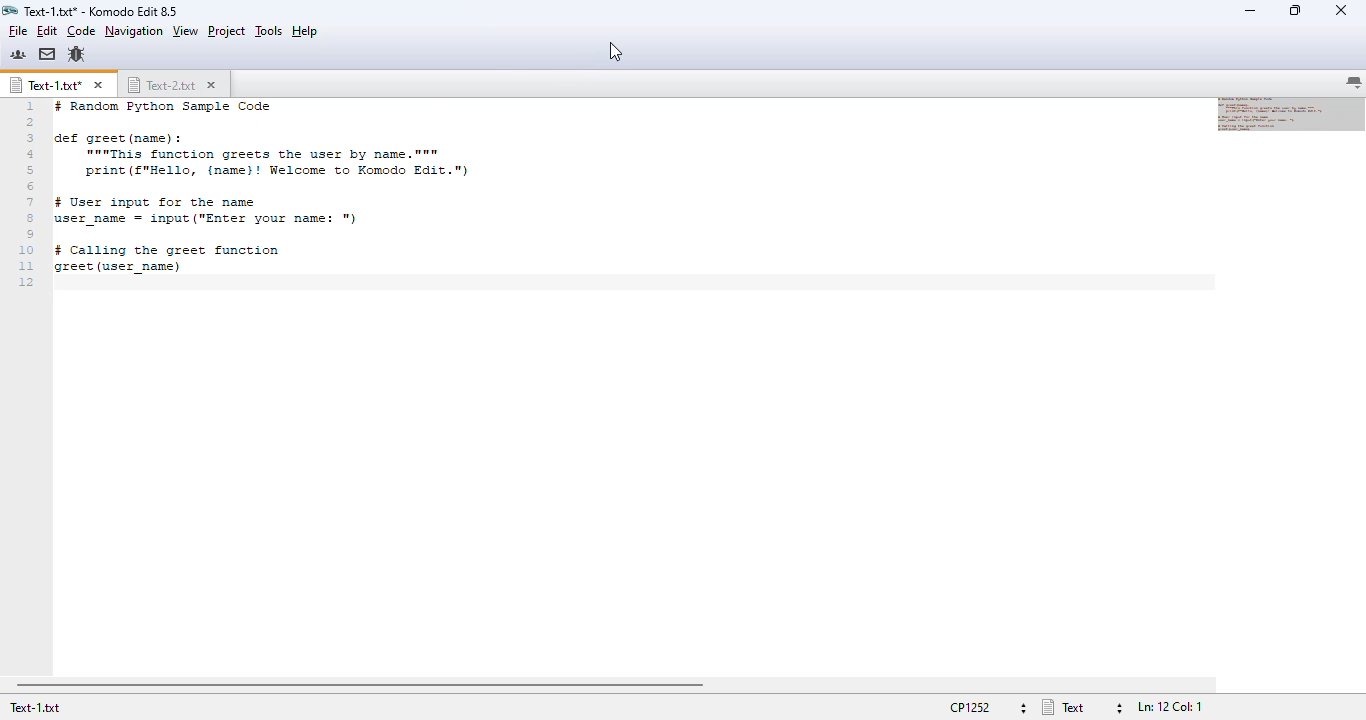 This screenshot has height=720, width=1366. What do you see at coordinates (81, 31) in the screenshot?
I see `code` at bounding box center [81, 31].